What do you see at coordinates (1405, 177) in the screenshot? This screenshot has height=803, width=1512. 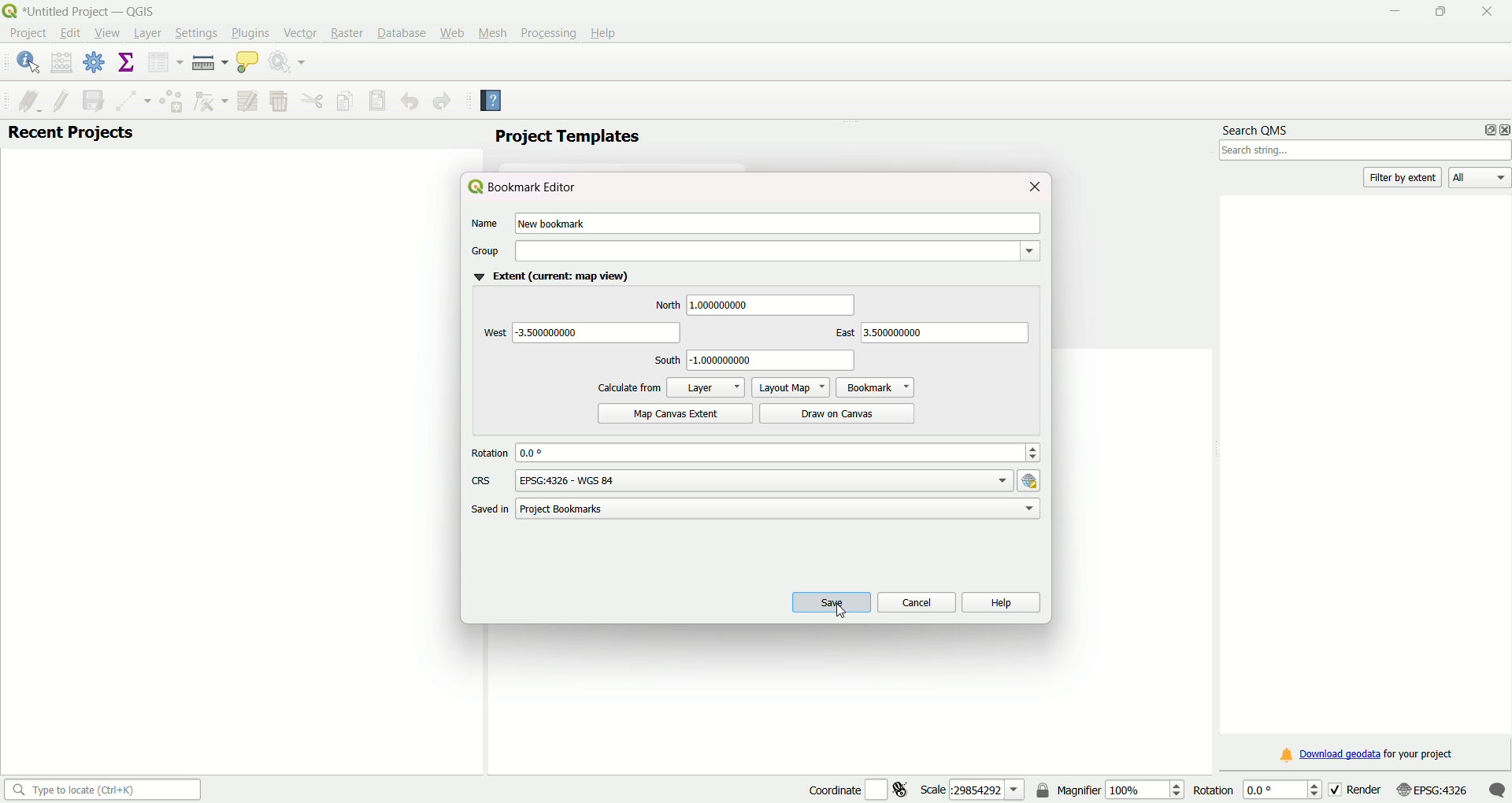 I see `filter` at bounding box center [1405, 177].